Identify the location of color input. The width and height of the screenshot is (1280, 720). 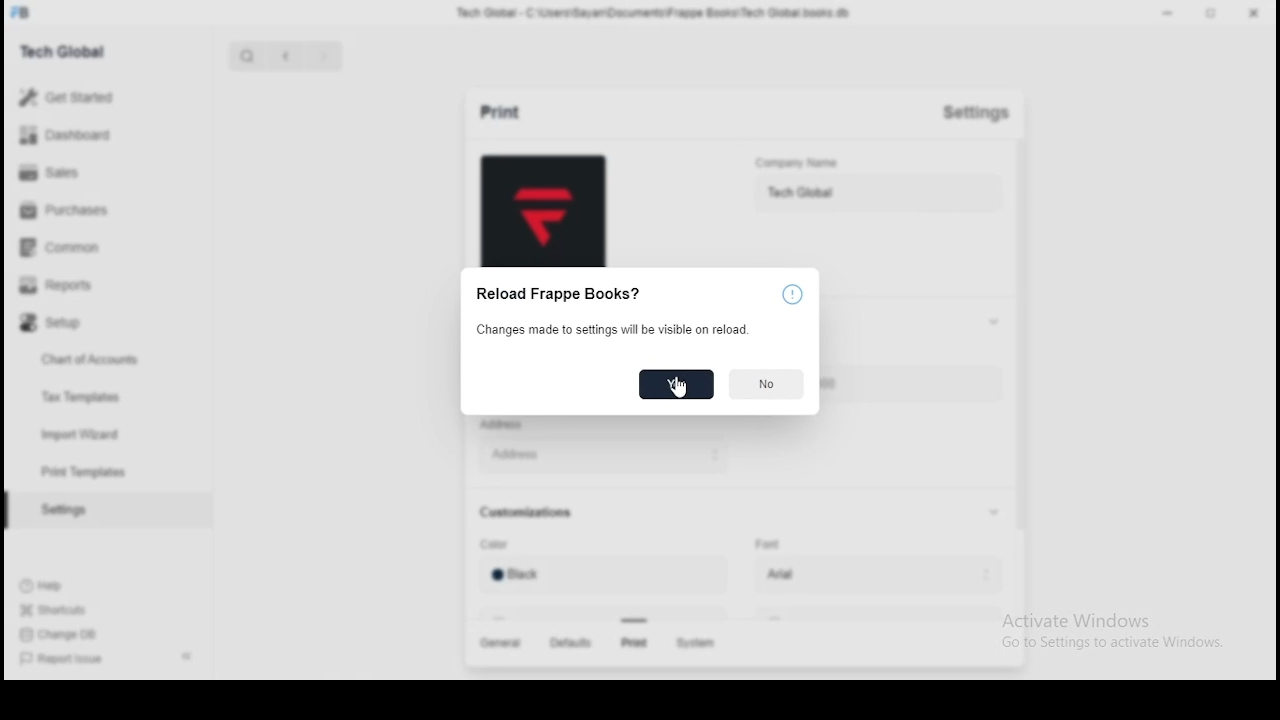
(600, 579).